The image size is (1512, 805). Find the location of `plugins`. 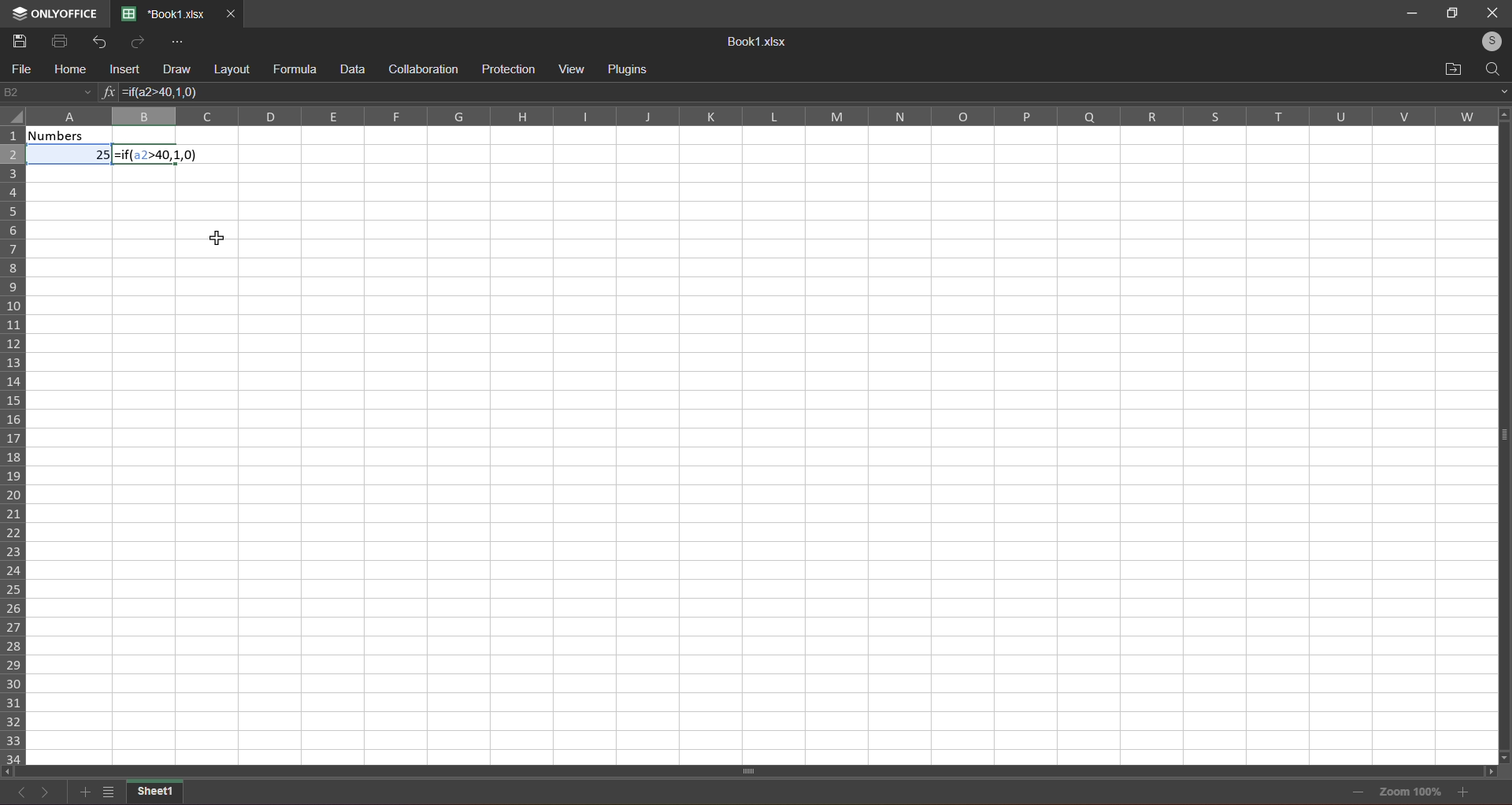

plugins is located at coordinates (632, 67).